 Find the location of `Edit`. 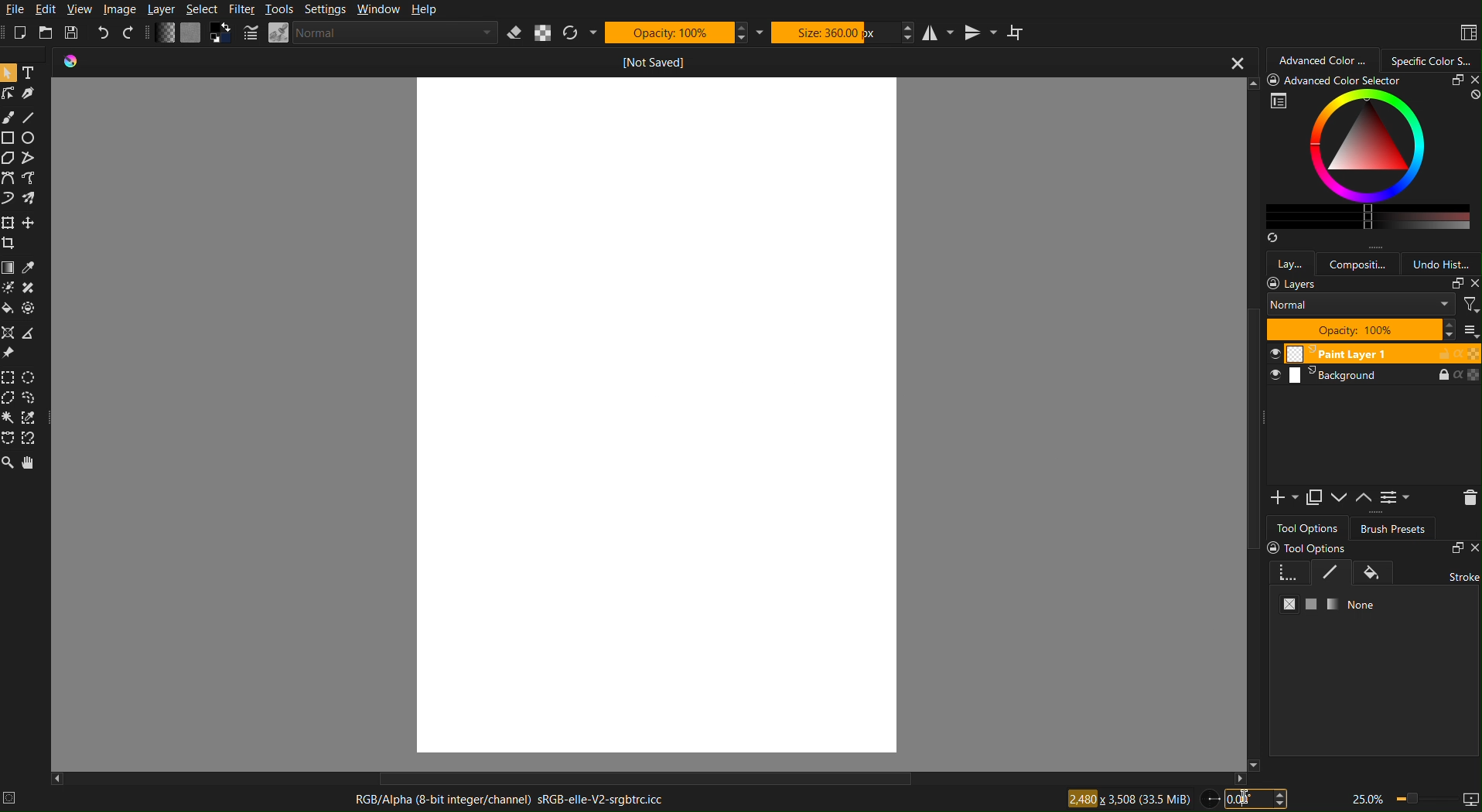

Edit is located at coordinates (49, 9).